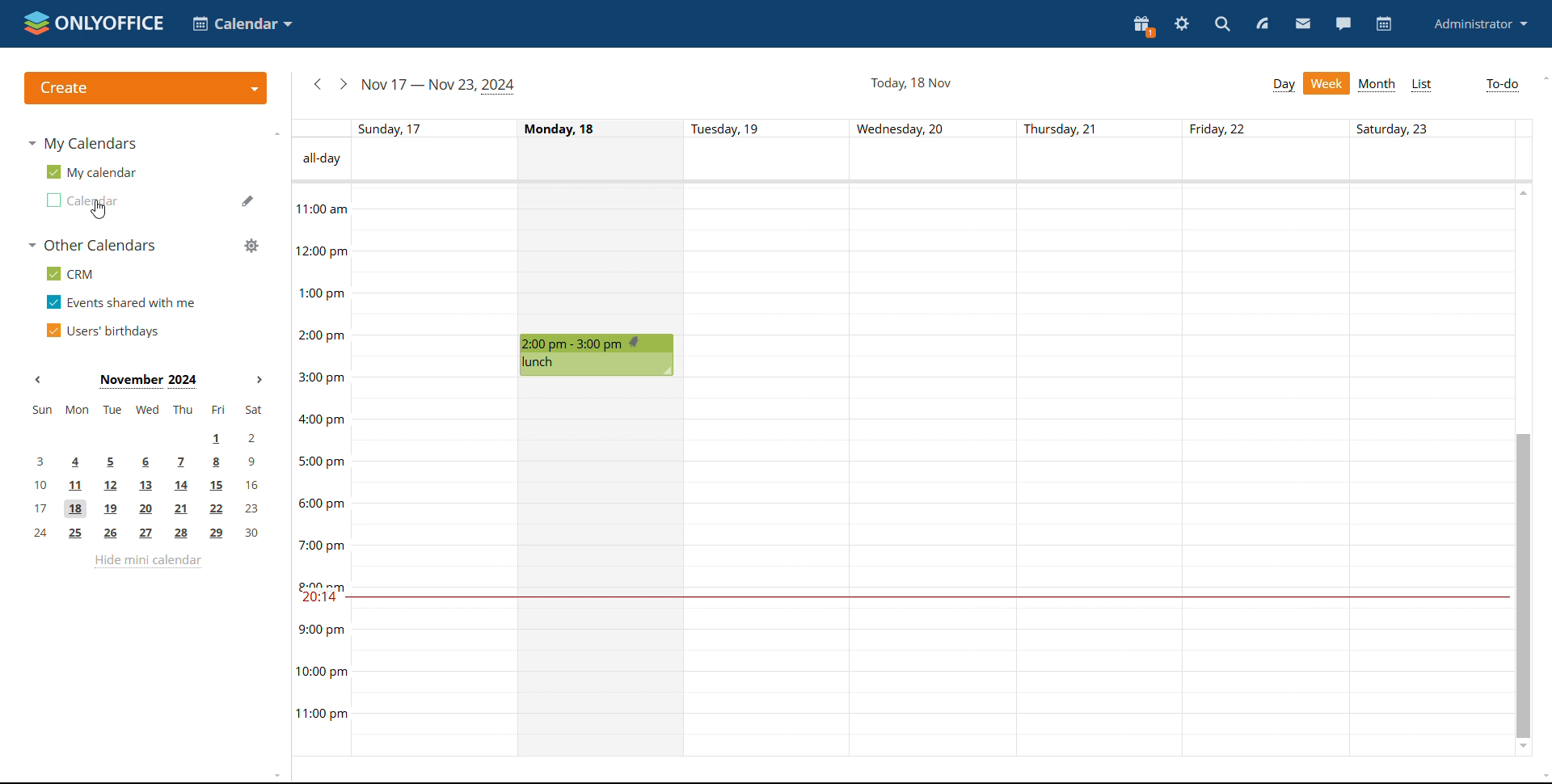 This screenshot has width=1552, height=784. I want to click on Wednesday, so click(935, 472).